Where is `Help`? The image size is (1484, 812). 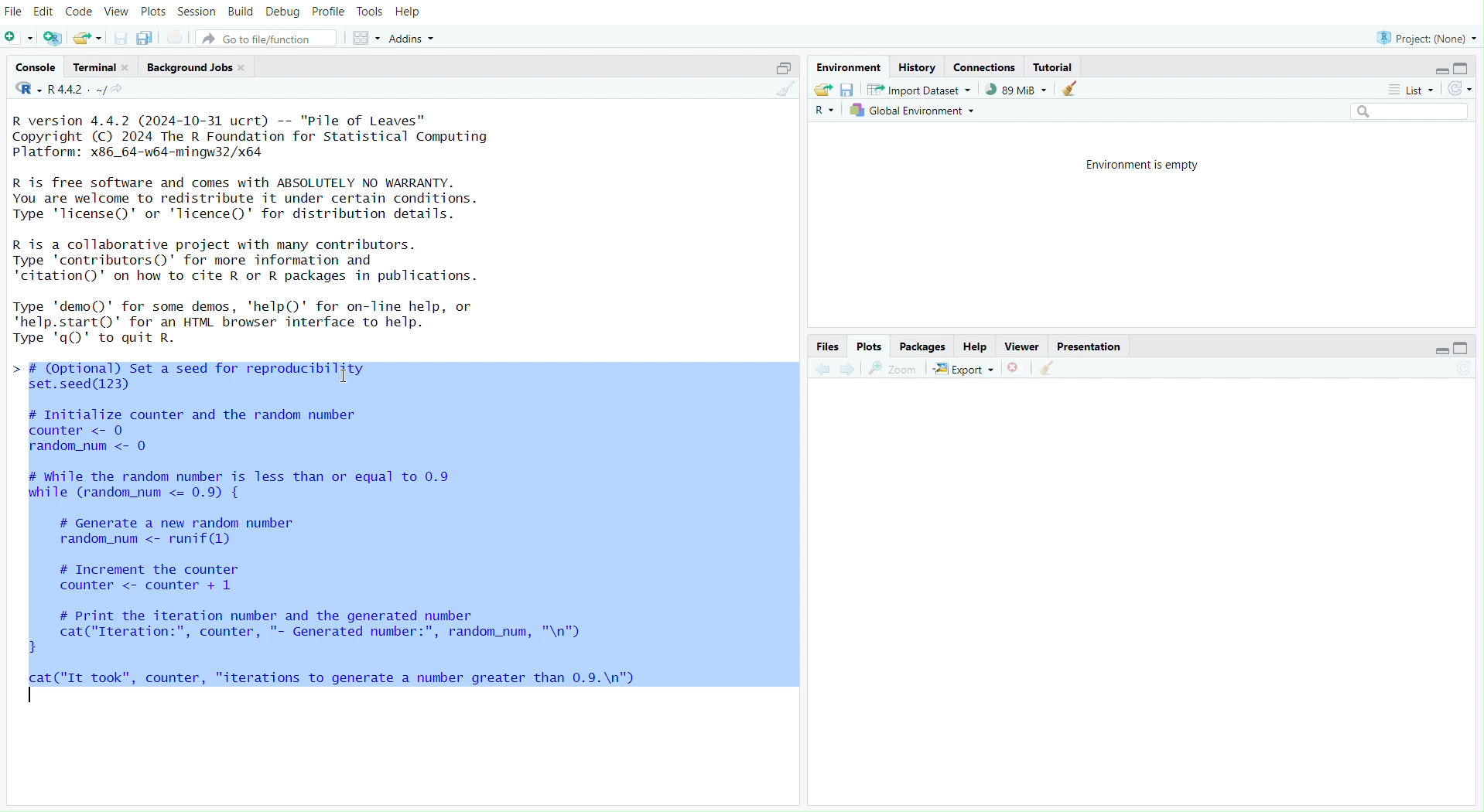 Help is located at coordinates (412, 10).